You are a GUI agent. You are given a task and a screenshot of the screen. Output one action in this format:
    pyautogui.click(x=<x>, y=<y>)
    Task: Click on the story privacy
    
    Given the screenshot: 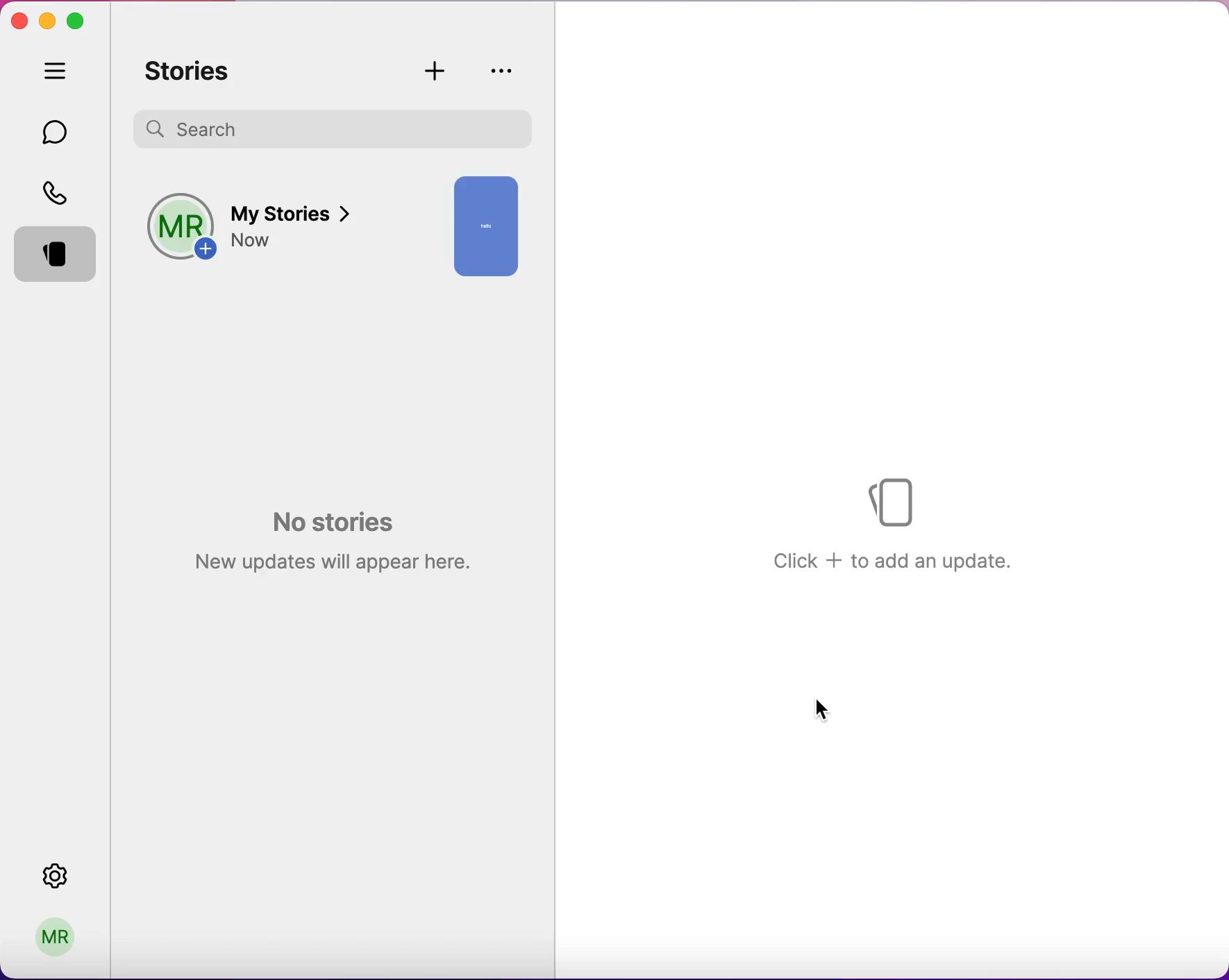 What is the action you would take?
    pyautogui.click(x=502, y=70)
    